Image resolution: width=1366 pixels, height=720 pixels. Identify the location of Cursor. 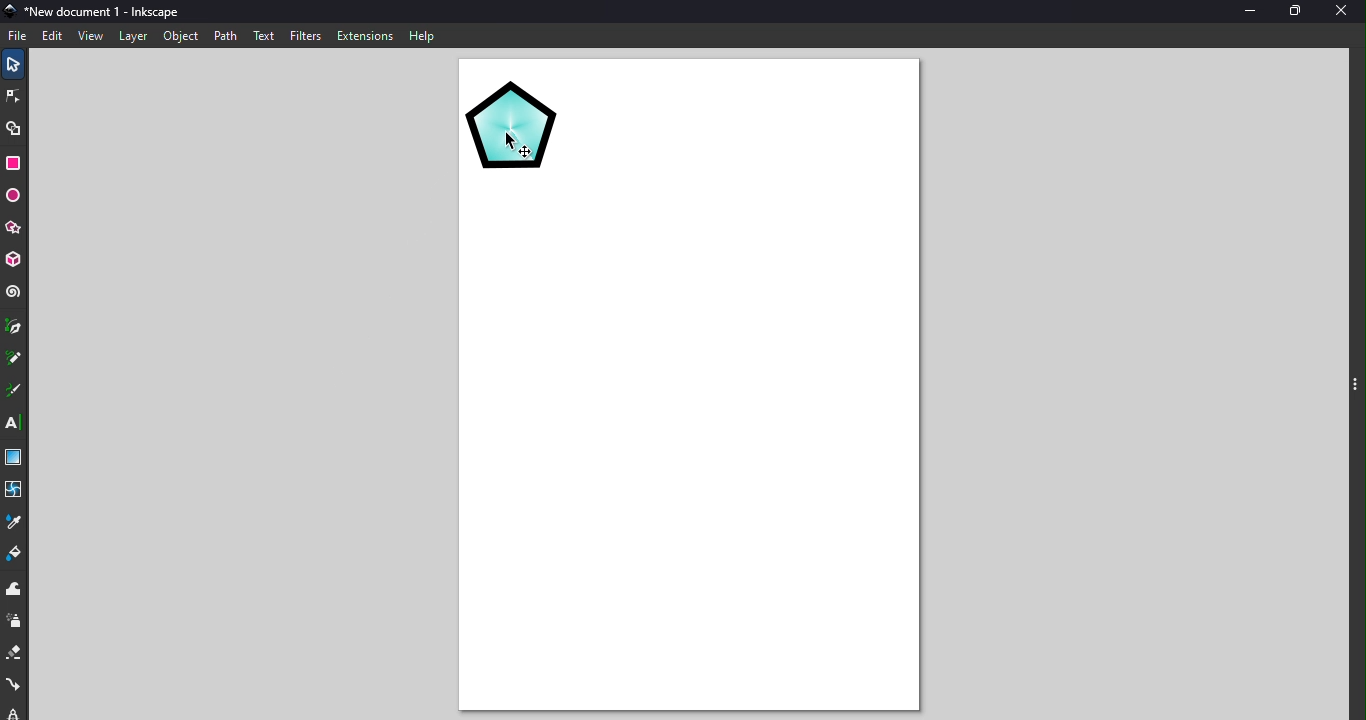
(518, 144).